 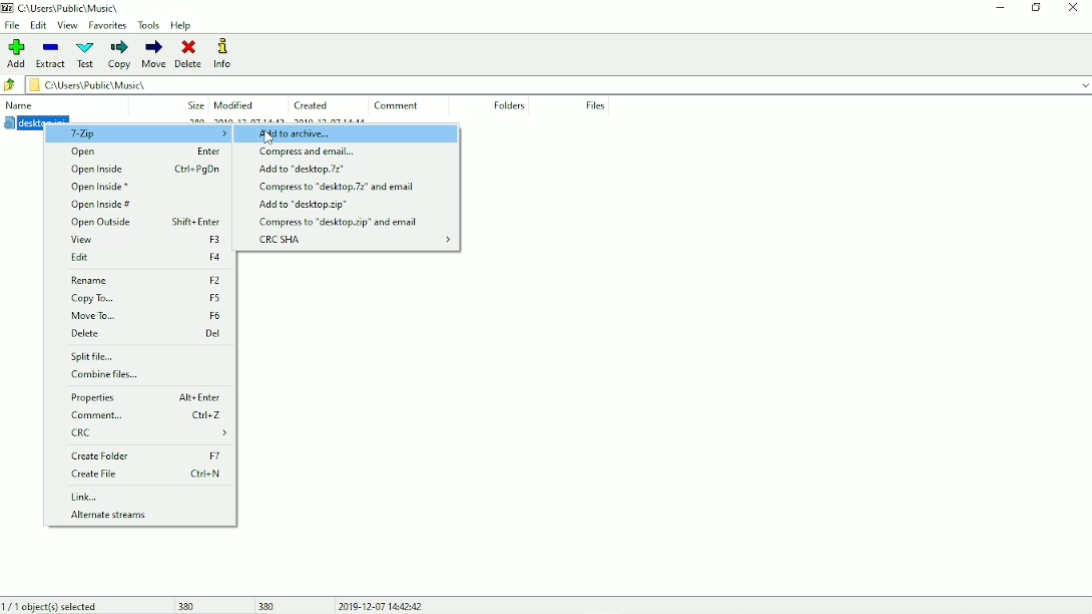 What do you see at coordinates (1038, 7) in the screenshot?
I see `Restore down` at bounding box center [1038, 7].